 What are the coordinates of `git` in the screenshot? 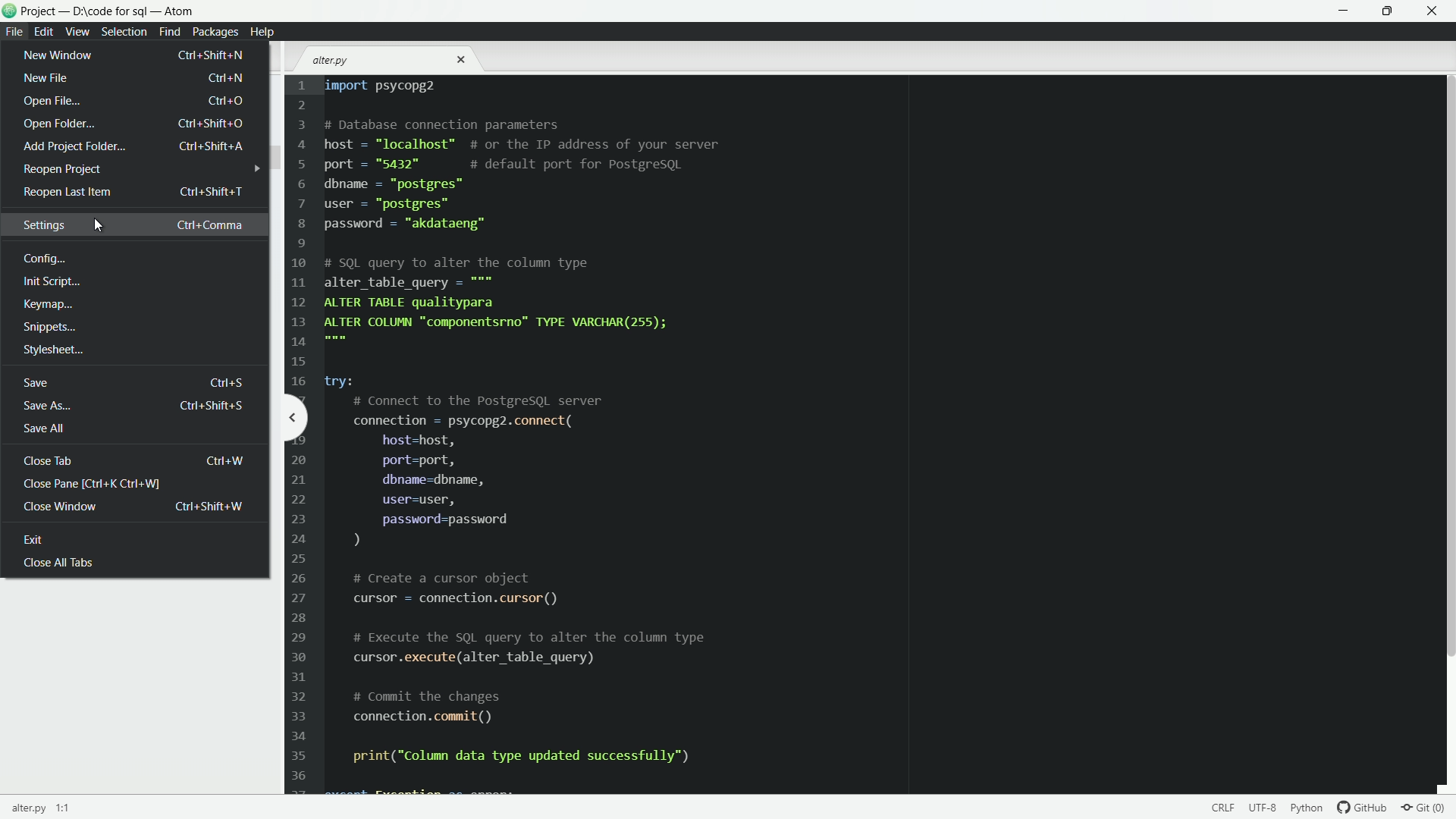 It's located at (1429, 807).